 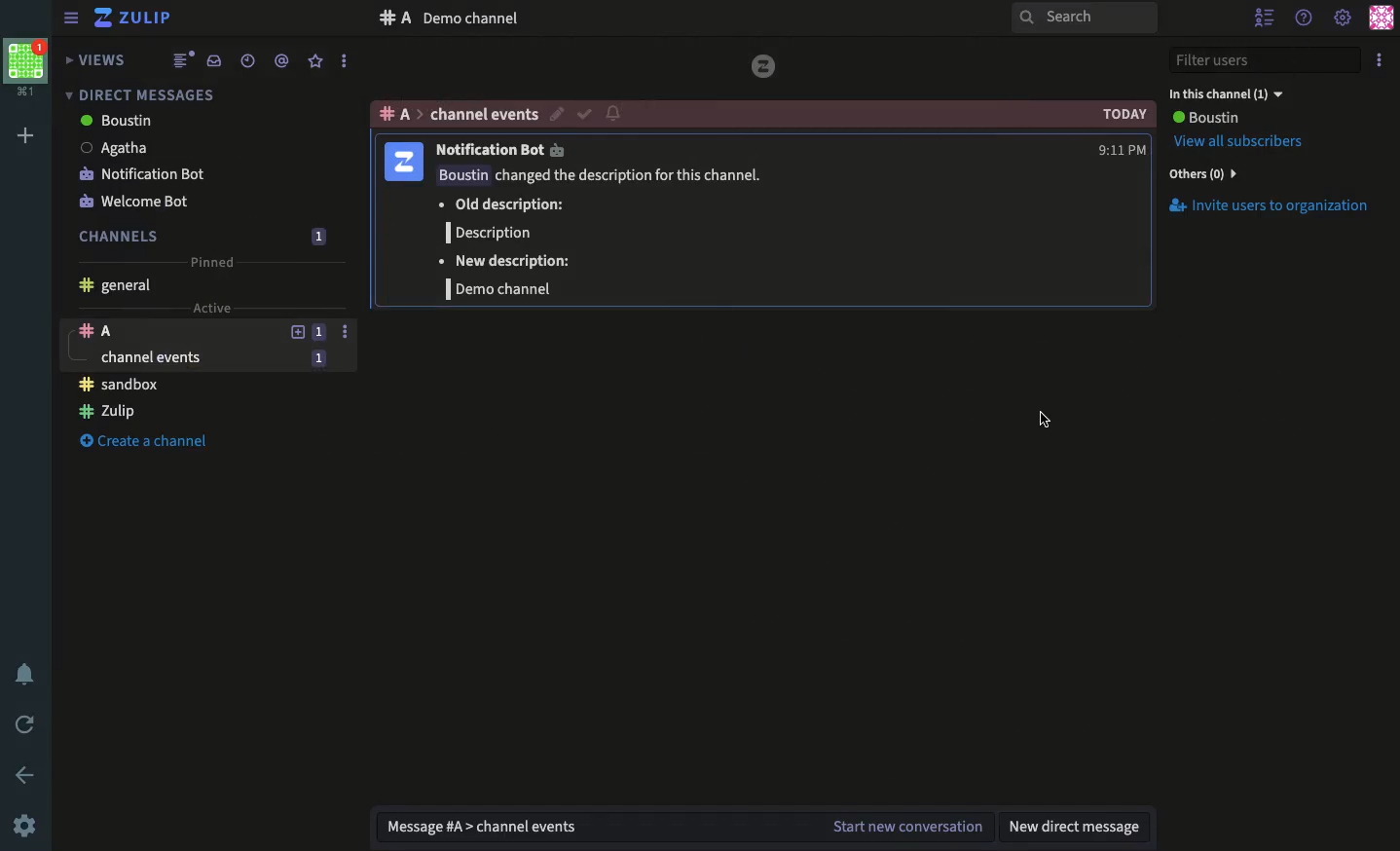 I want to click on Add, so click(x=29, y=135).